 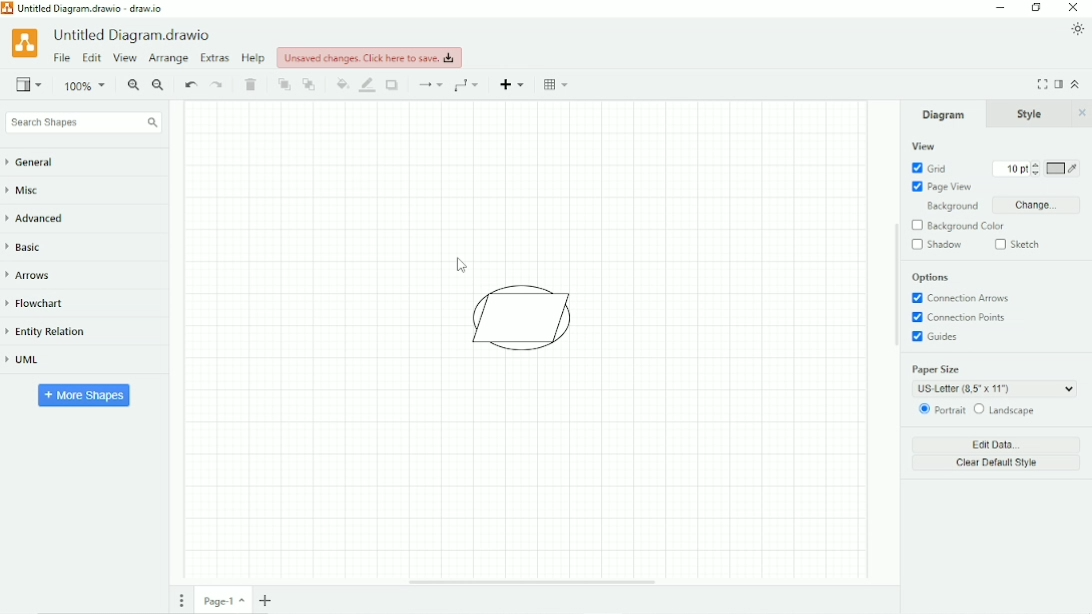 I want to click on Zoom in, so click(x=133, y=86).